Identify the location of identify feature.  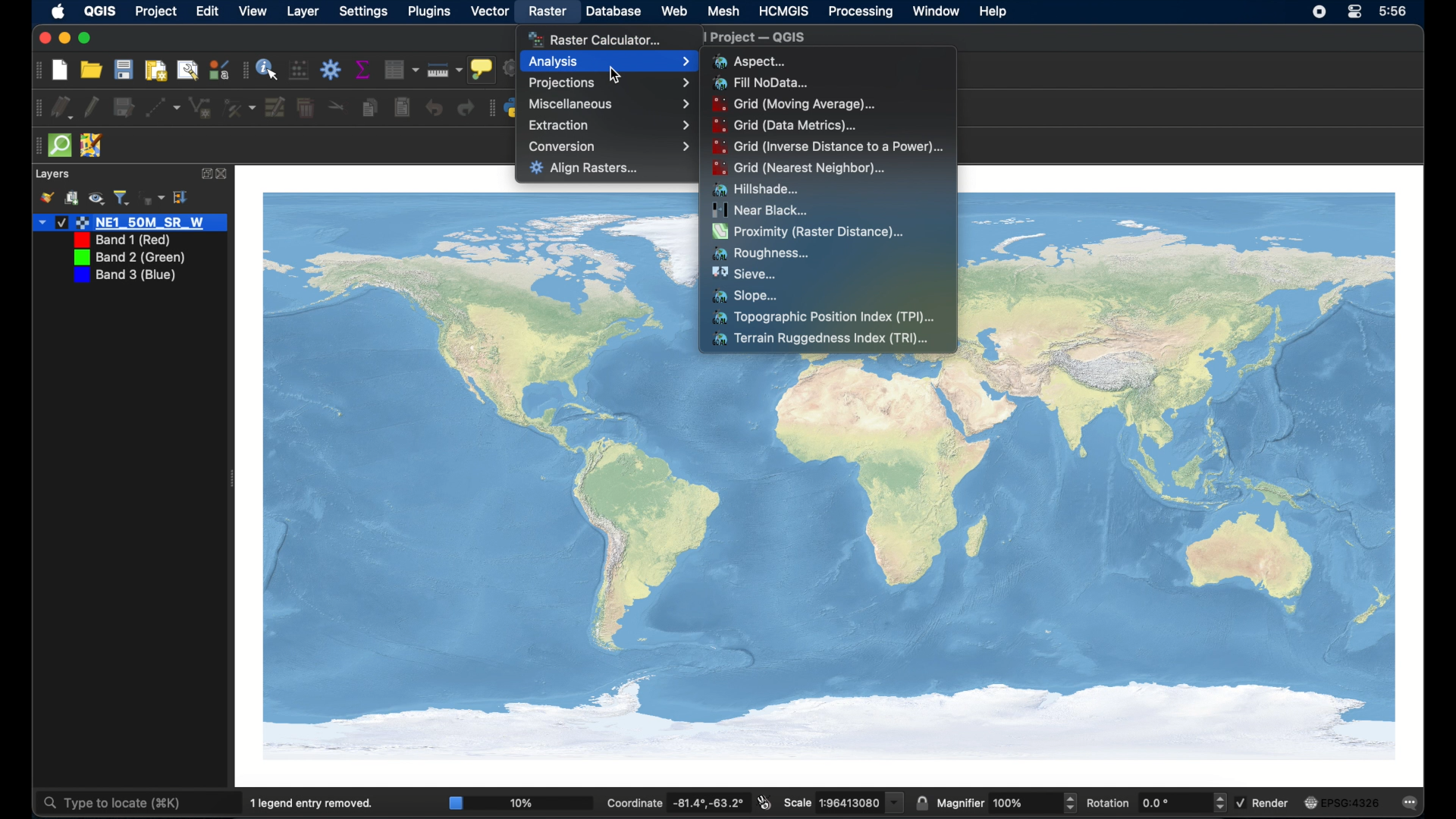
(268, 69).